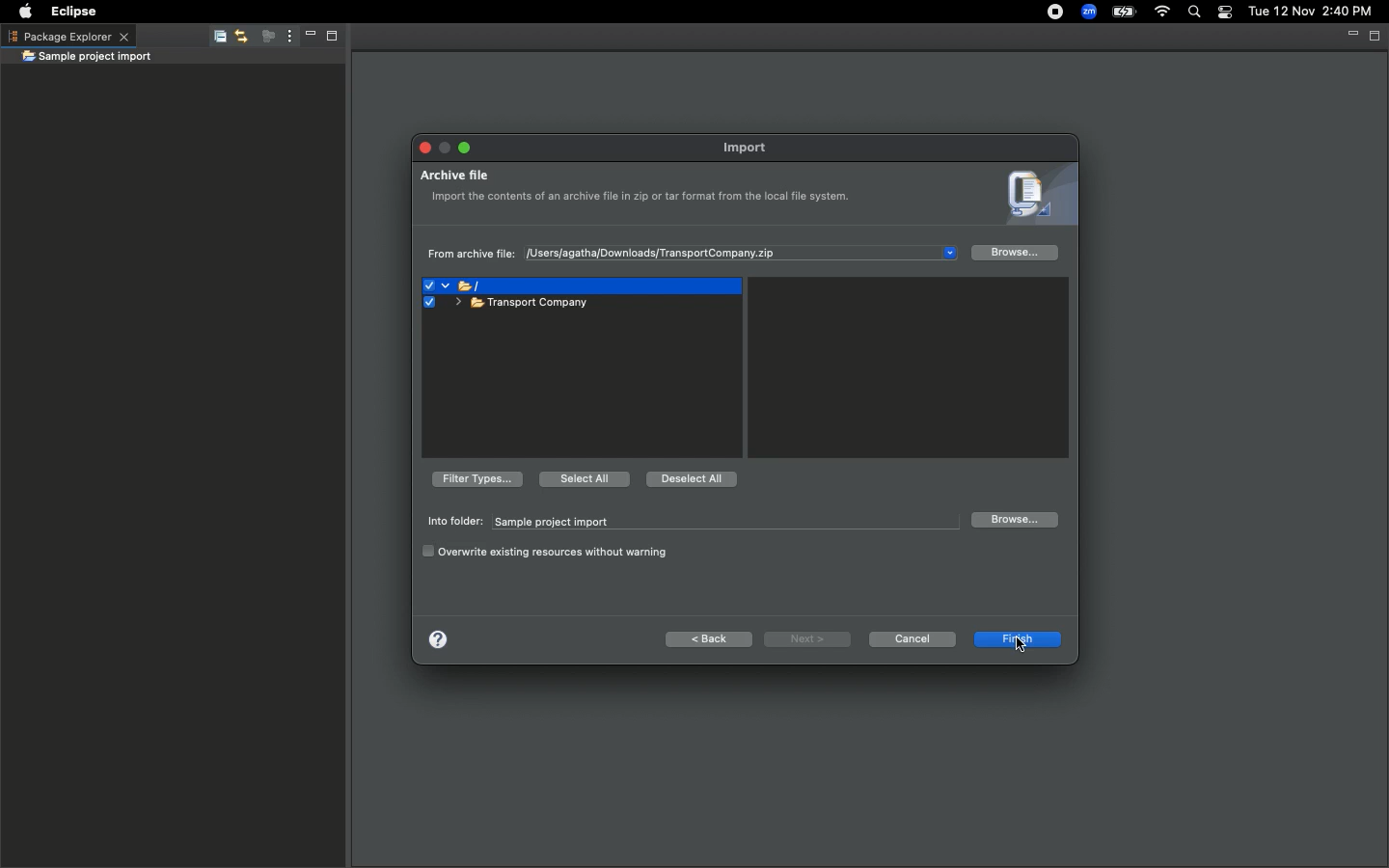  What do you see at coordinates (286, 37) in the screenshot?
I see `View menu` at bounding box center [286, 37].